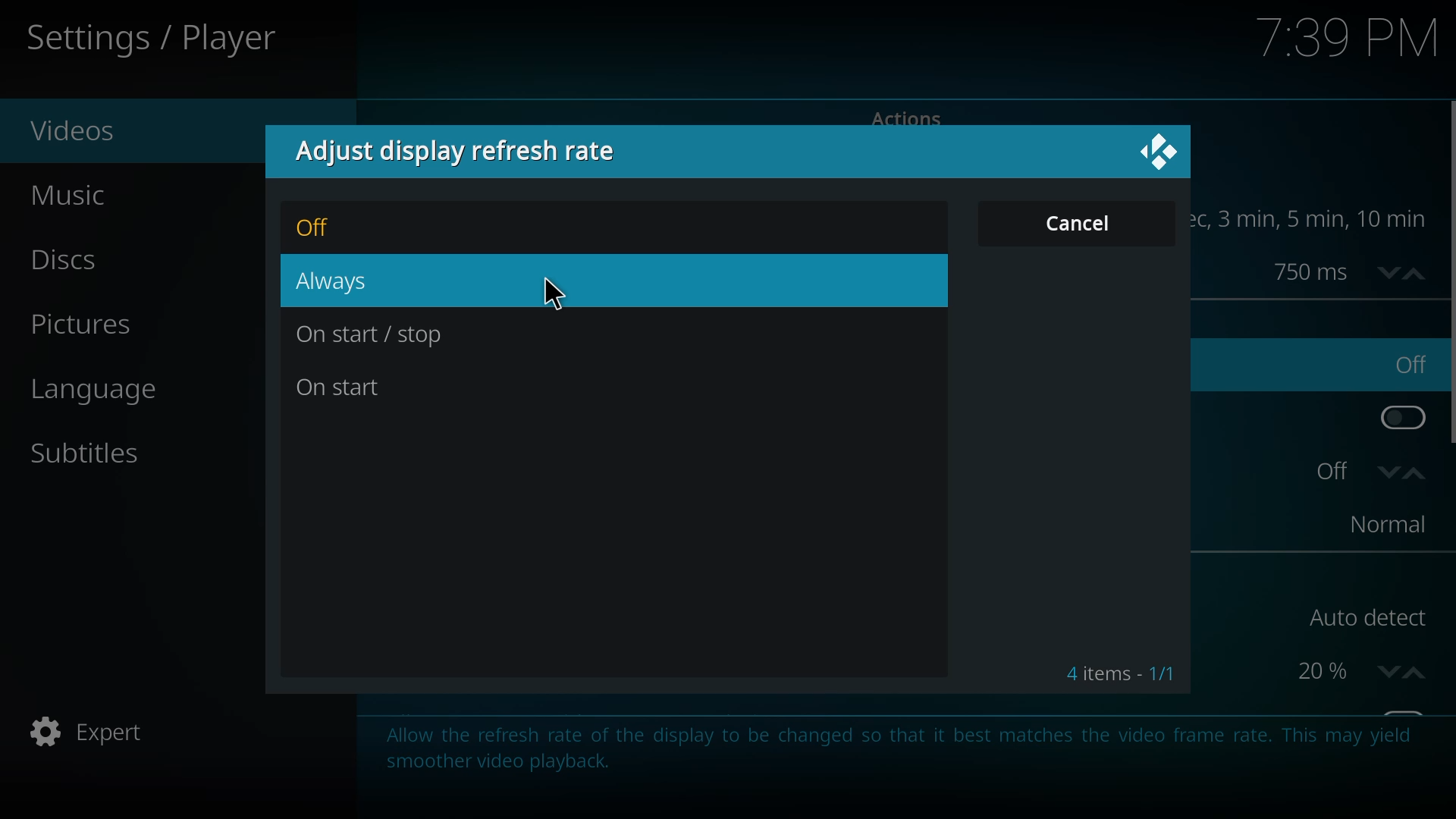 The image size is (1456, 819). I want to click on enable, so click(1398, 414).